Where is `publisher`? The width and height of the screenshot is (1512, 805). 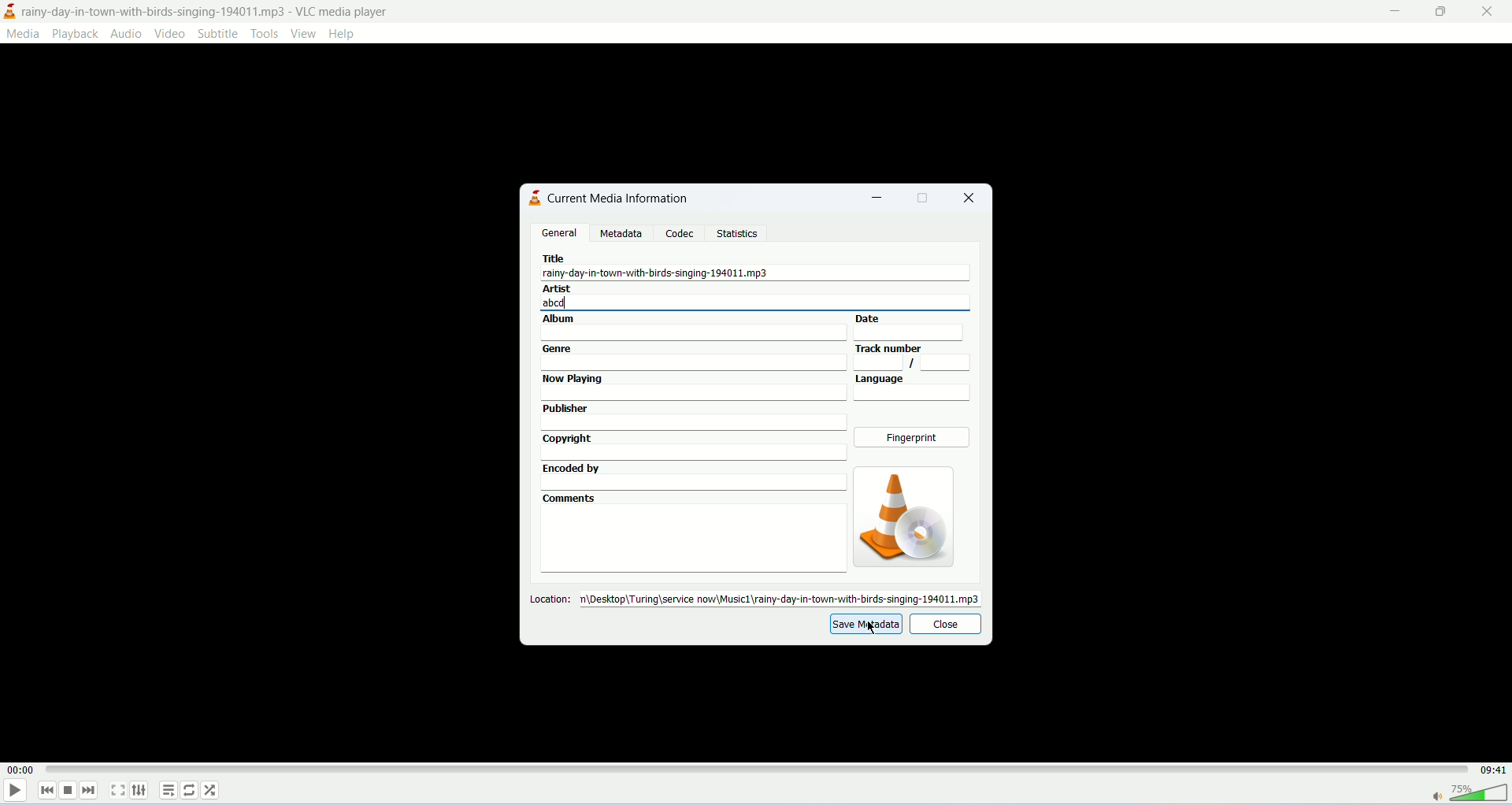 publisher is located at coordinates (692, 416).